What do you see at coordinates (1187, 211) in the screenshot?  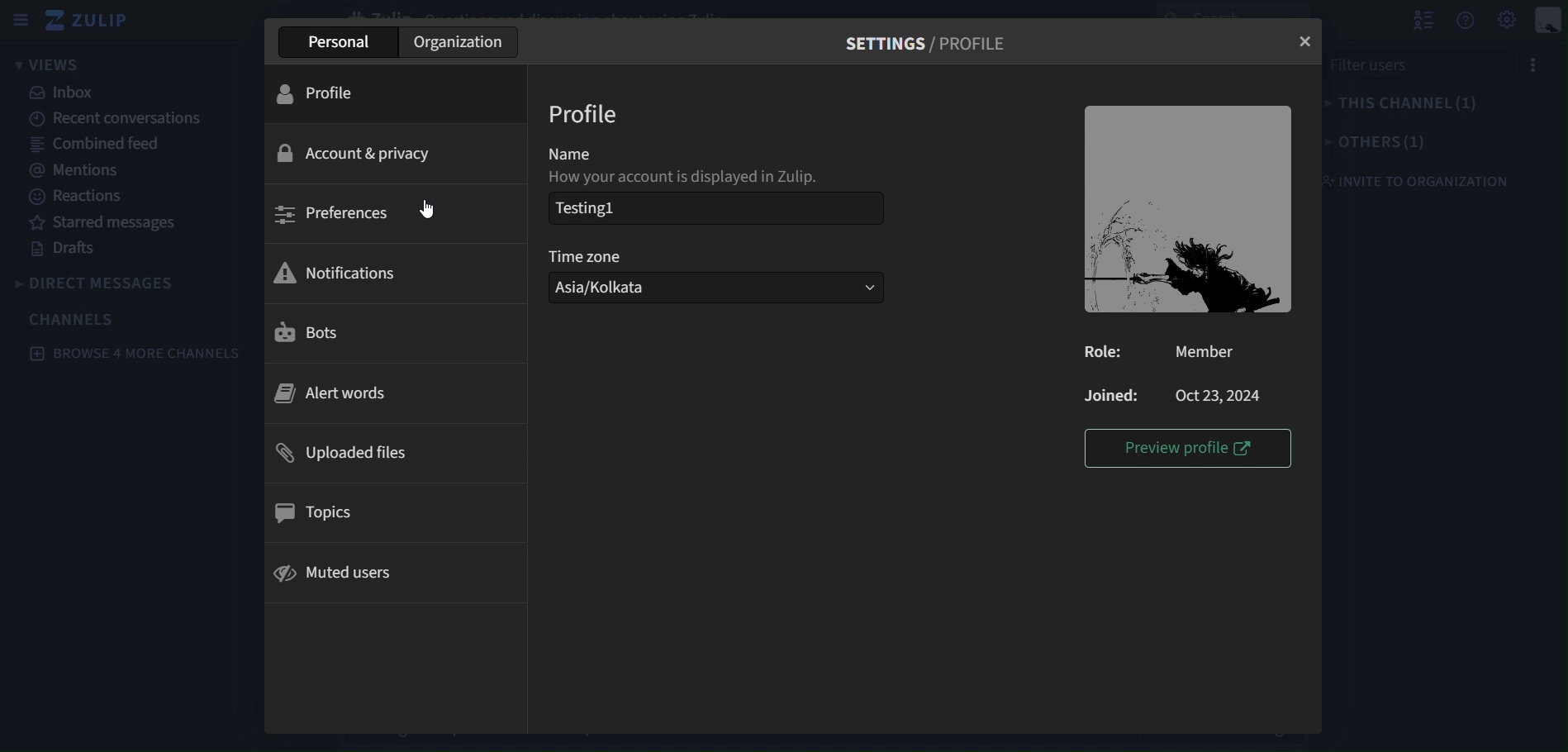 I see `image` at bounding box center [1187, 211].